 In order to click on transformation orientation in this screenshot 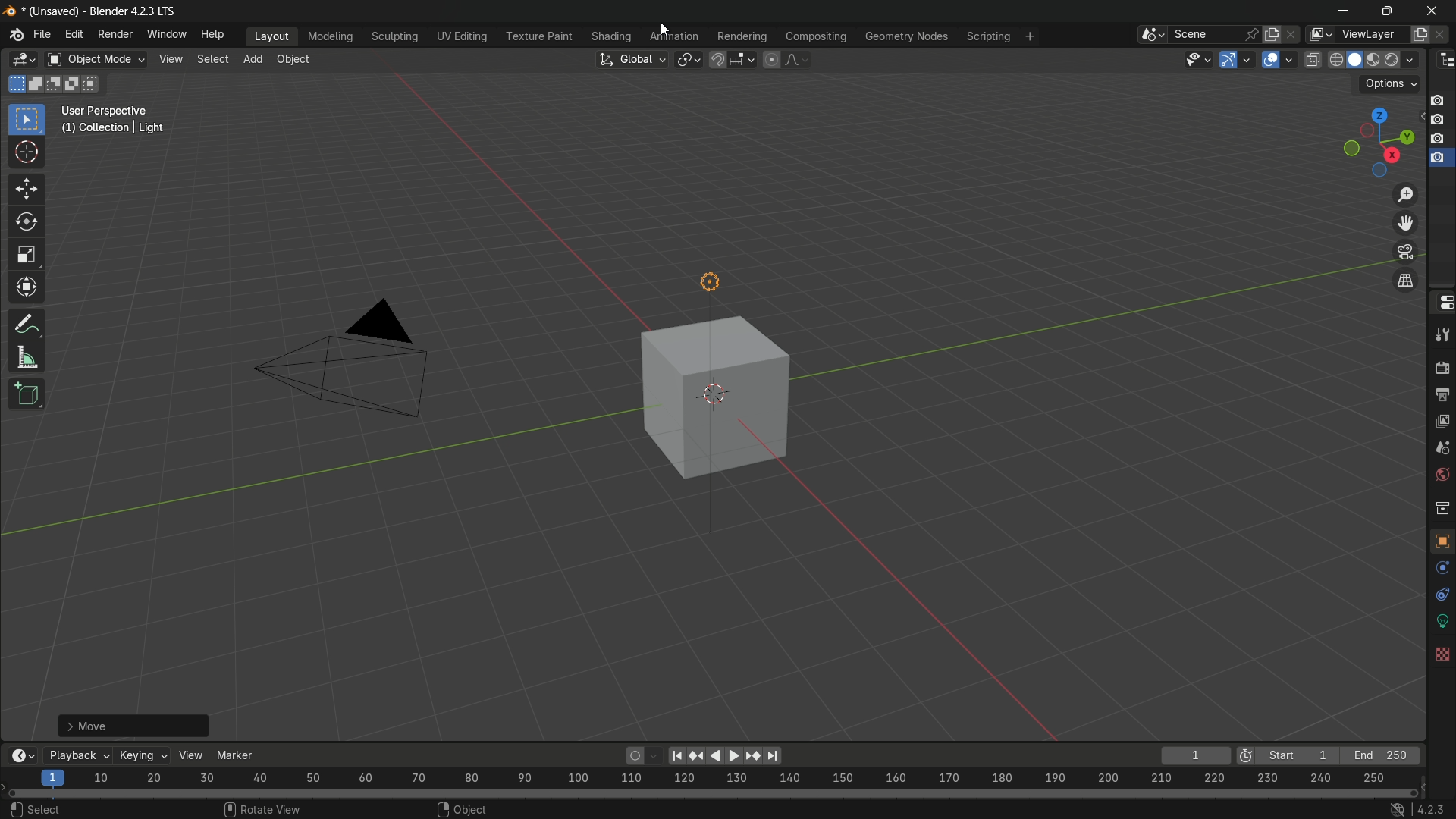, I will do `click(633, 59)`.